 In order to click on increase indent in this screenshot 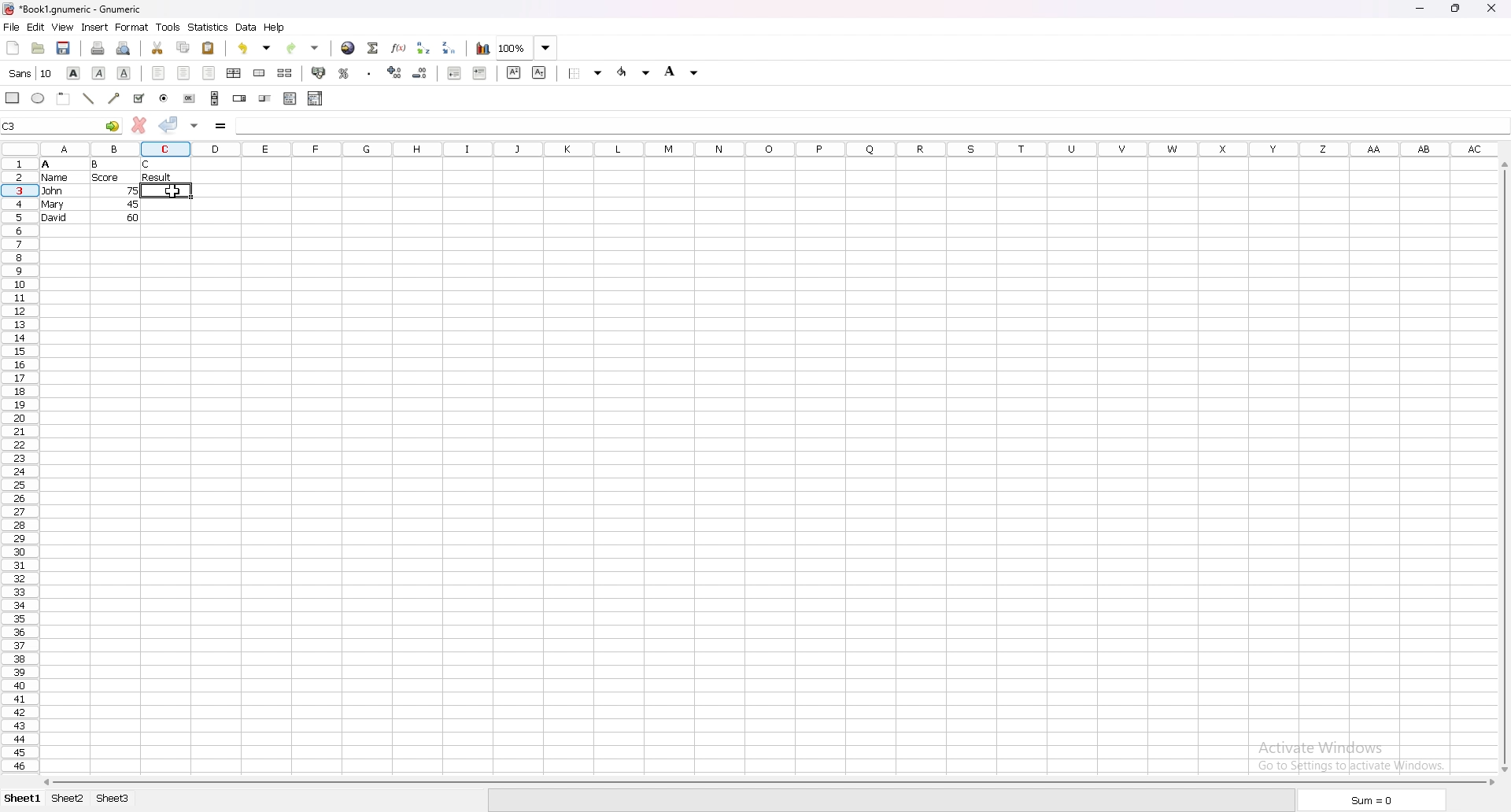, I will do `click(481, 73)`.